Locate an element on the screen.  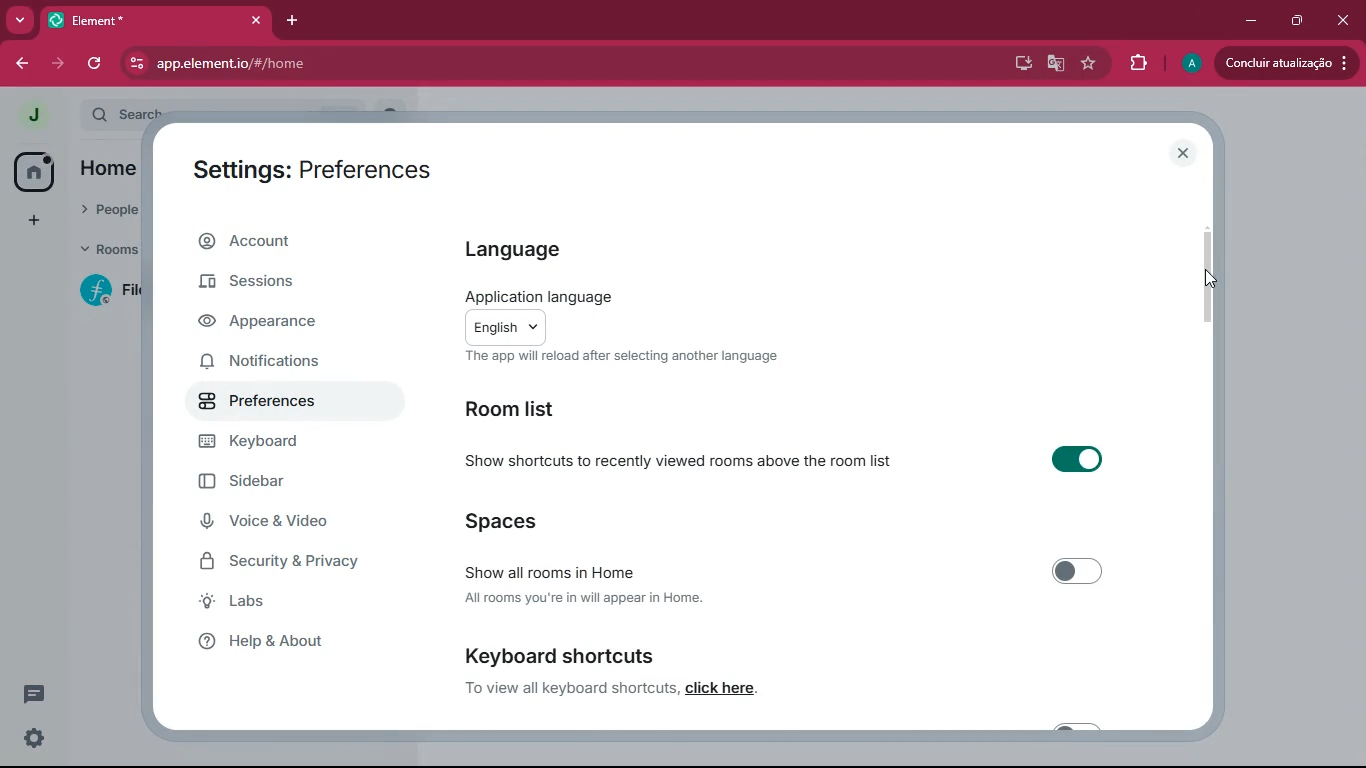
desktop is located at coordinates (1016, 64).